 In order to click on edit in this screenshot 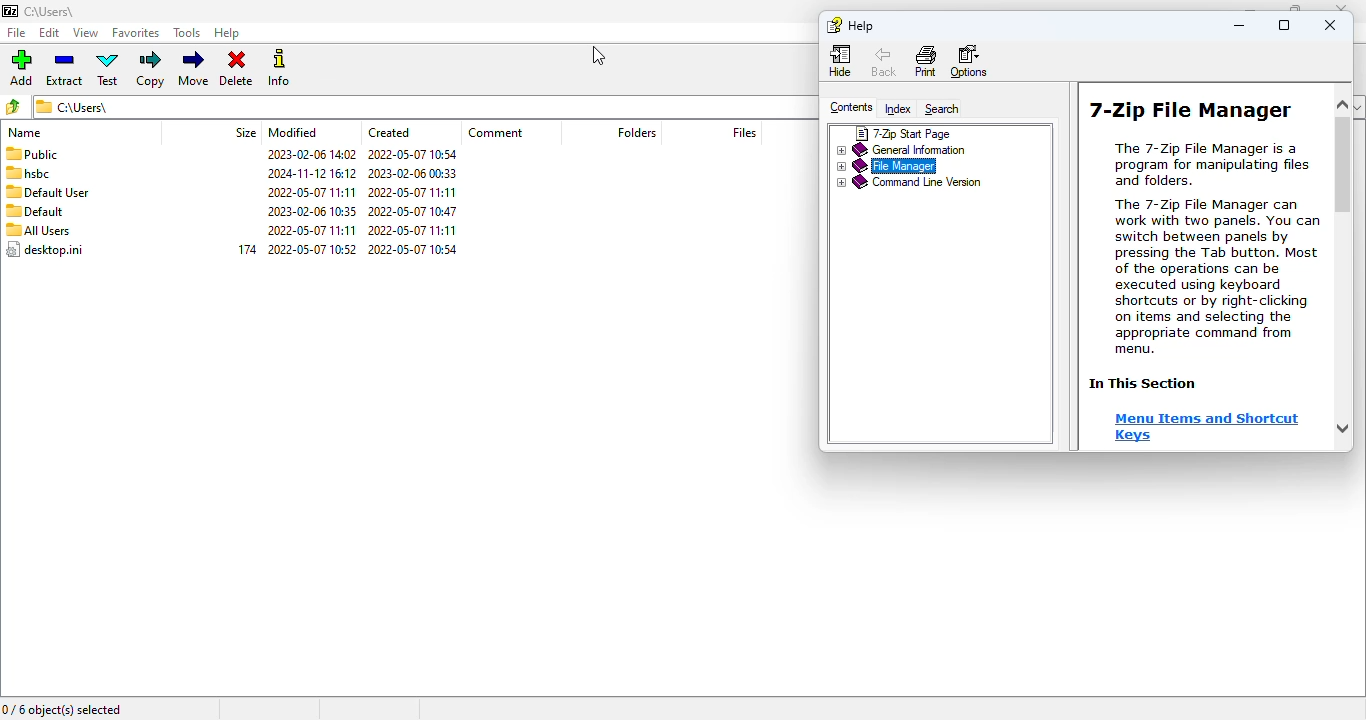, I will do `click(49, 32)`.